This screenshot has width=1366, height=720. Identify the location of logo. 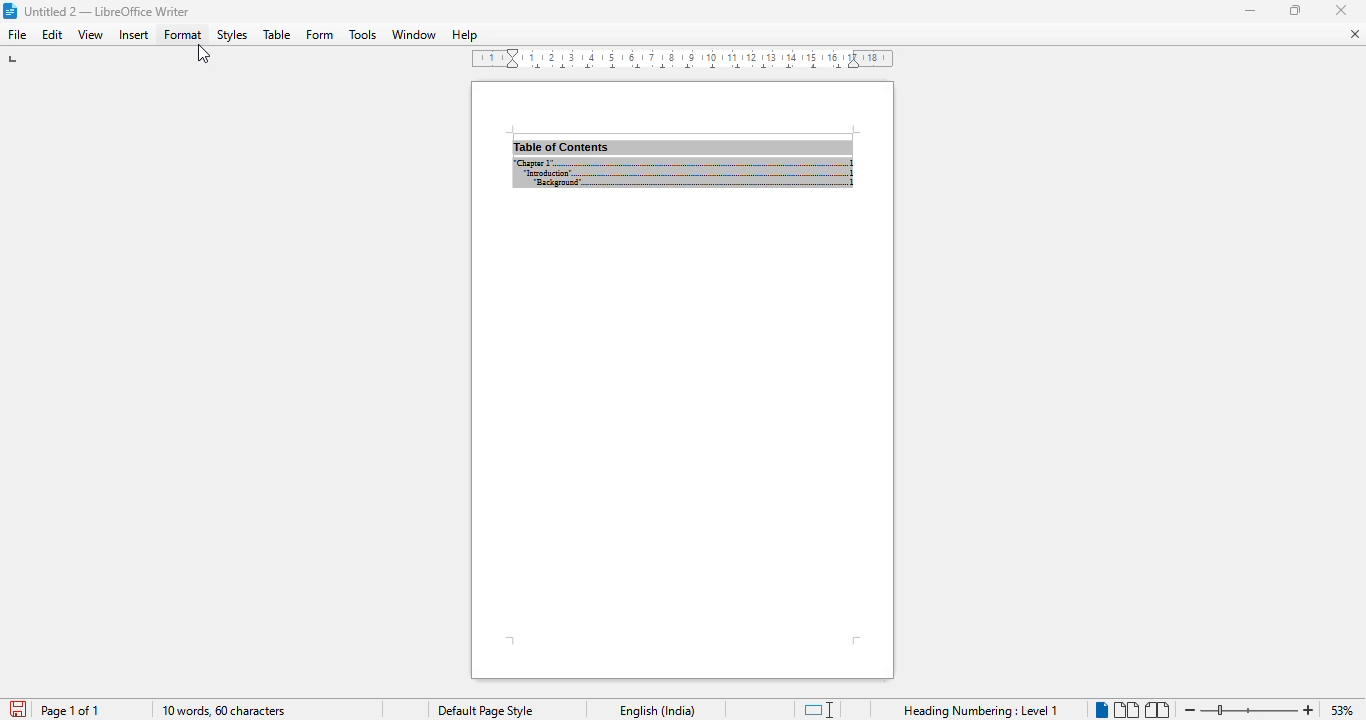
(10, 11).